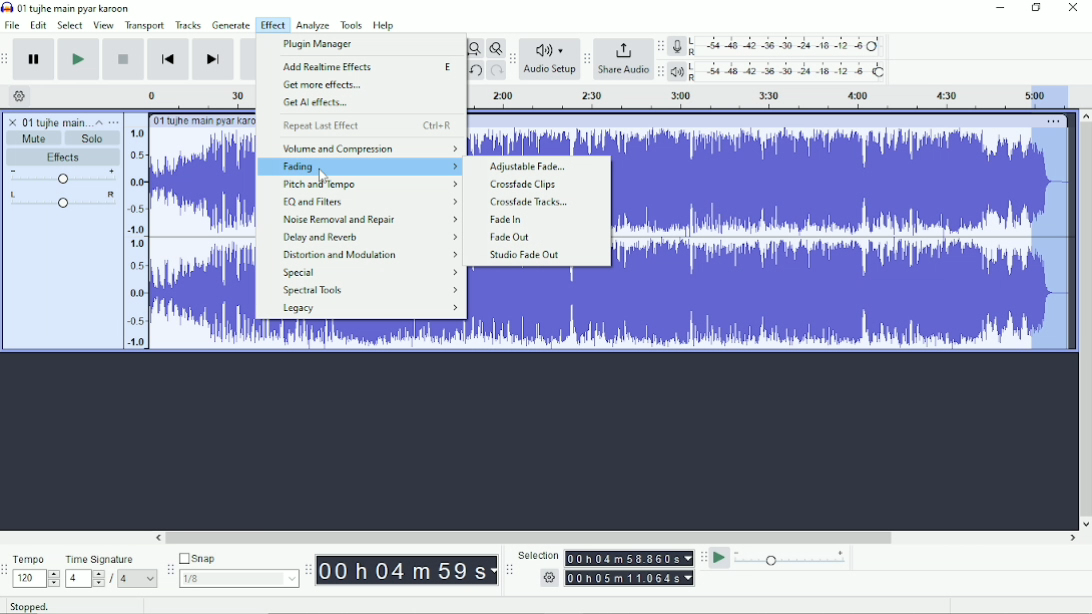 The image size is (1092, 614). What do you see at coordinates (662, 71) in the screenshot?
I see `Audacity playback meter toolbar` at bounding box center [662, 71].